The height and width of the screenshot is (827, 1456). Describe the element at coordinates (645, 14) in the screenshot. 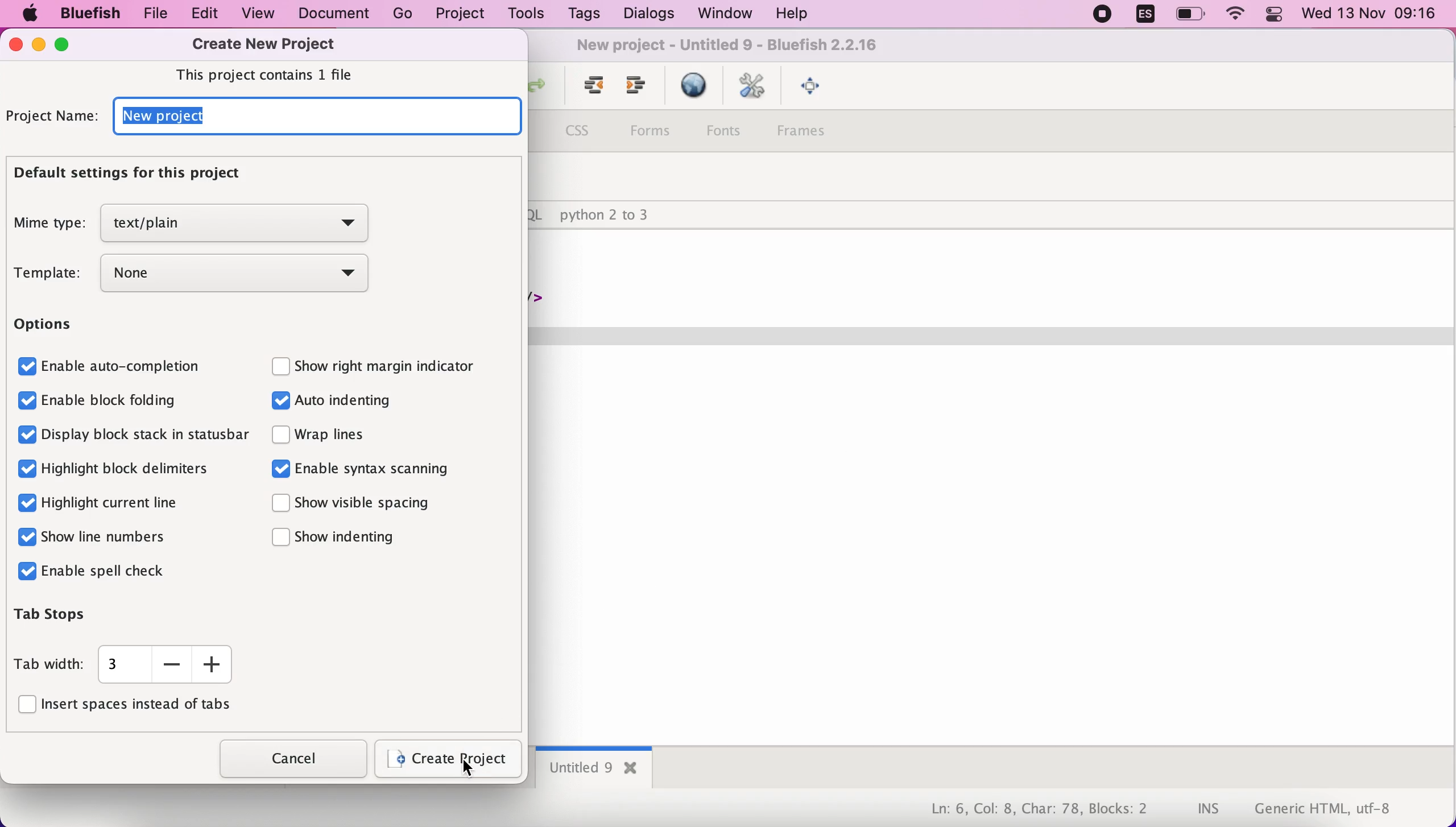

I see `dialogs` at that location.